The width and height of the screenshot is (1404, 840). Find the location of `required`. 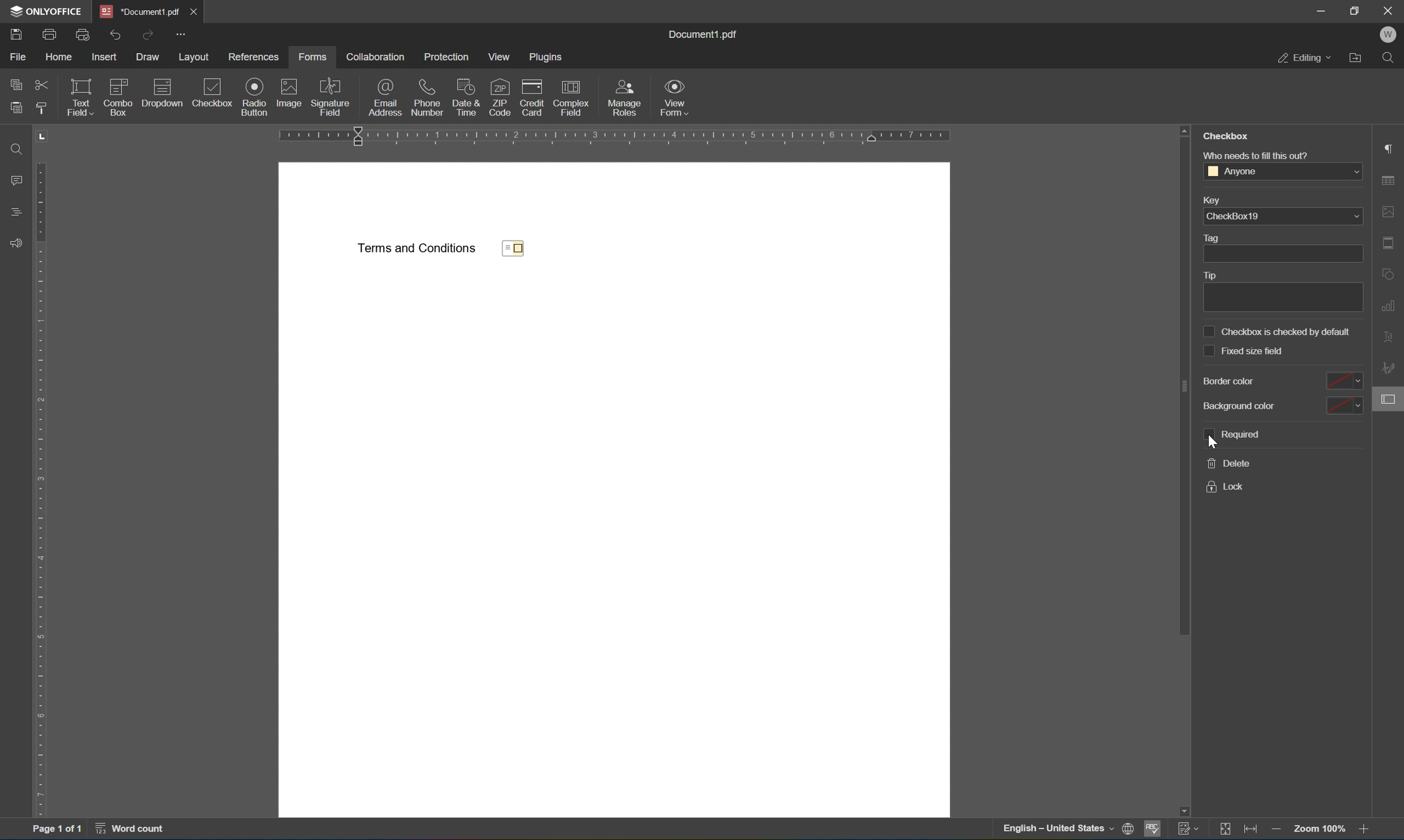

required is located at coordinates (1230, 436).